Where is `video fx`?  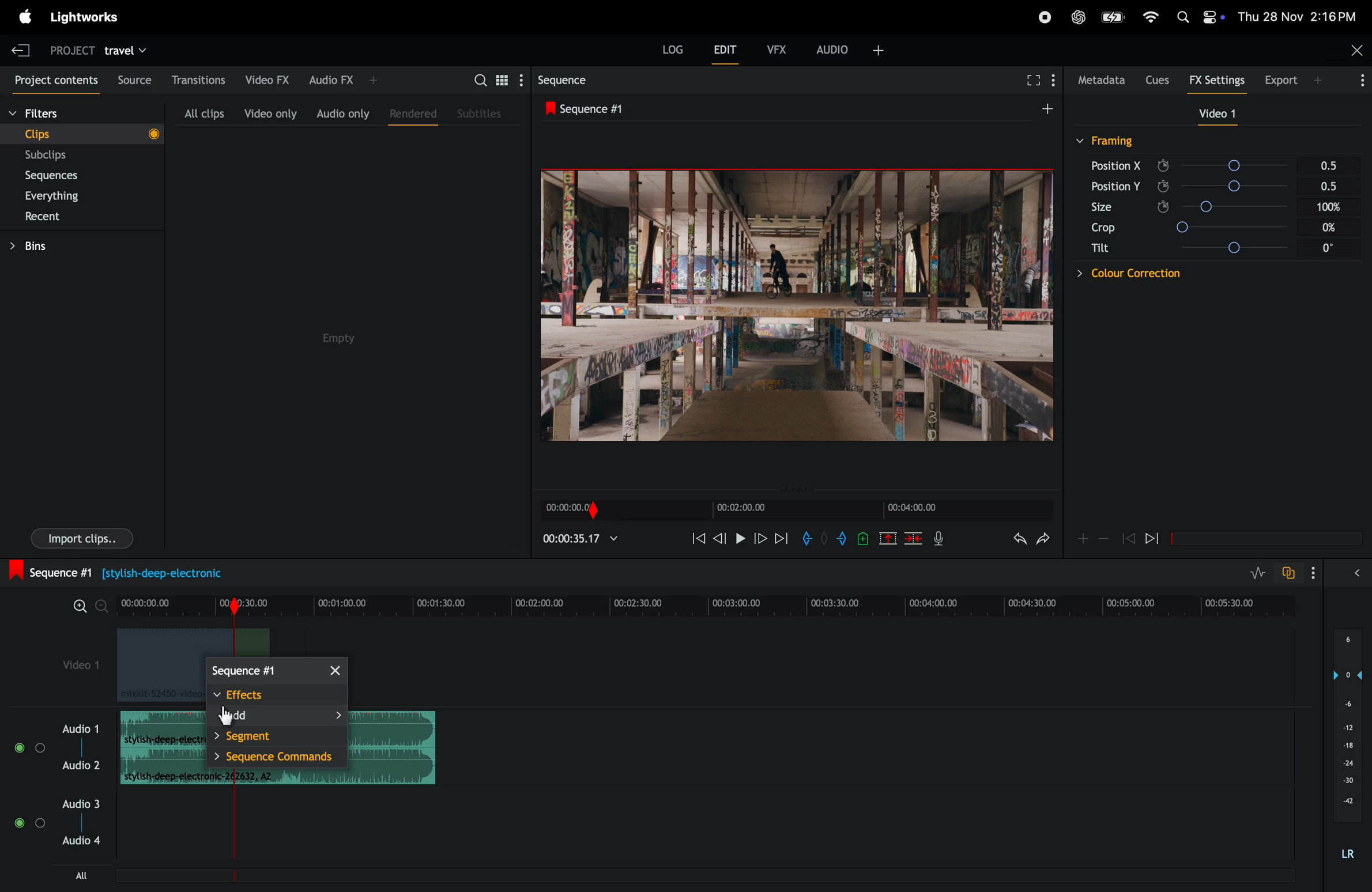 video fx is located at coordinates (265, 78).